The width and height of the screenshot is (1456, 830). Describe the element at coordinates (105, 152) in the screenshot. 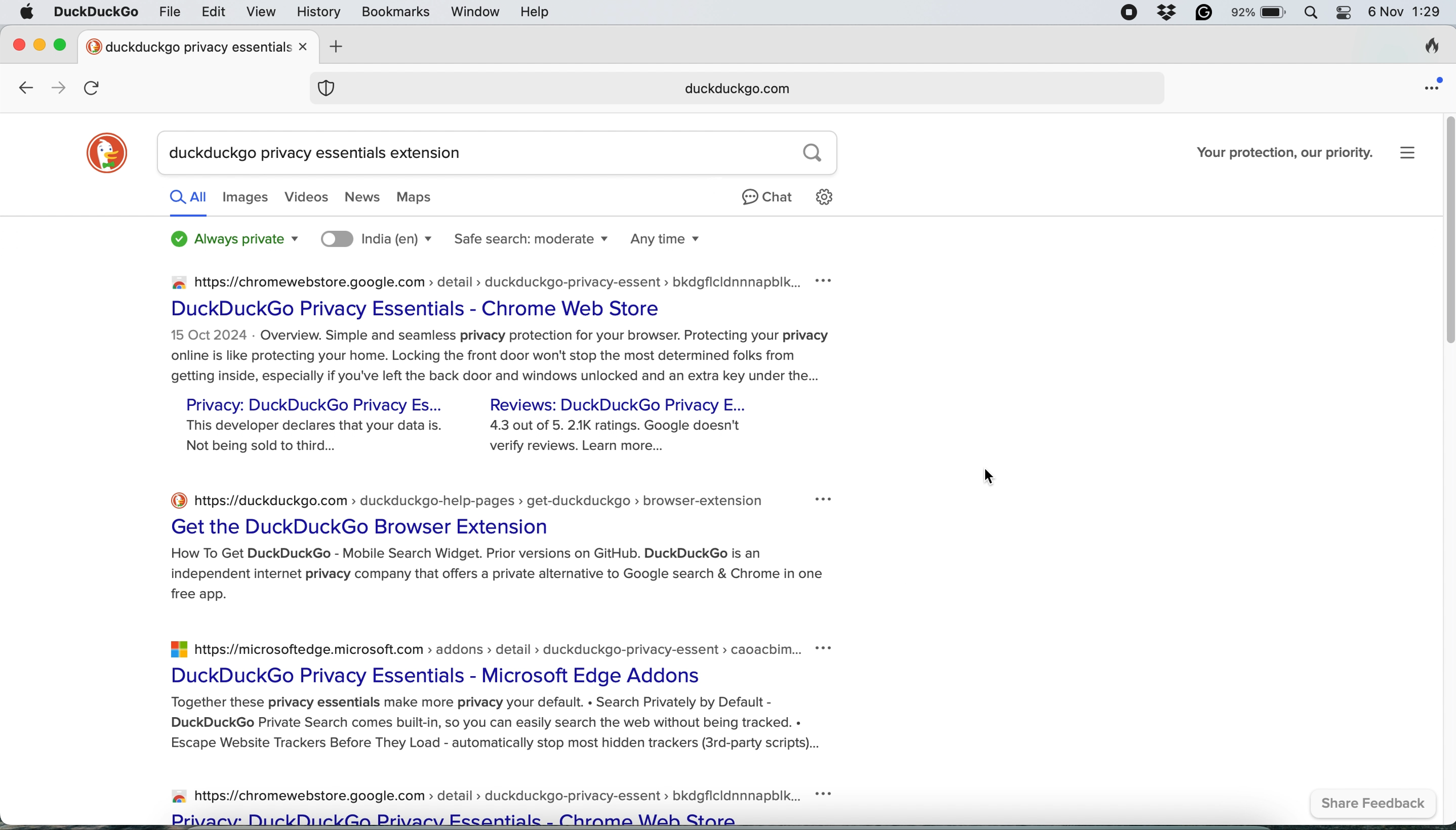

I see `duckduckgo logo` at that location.